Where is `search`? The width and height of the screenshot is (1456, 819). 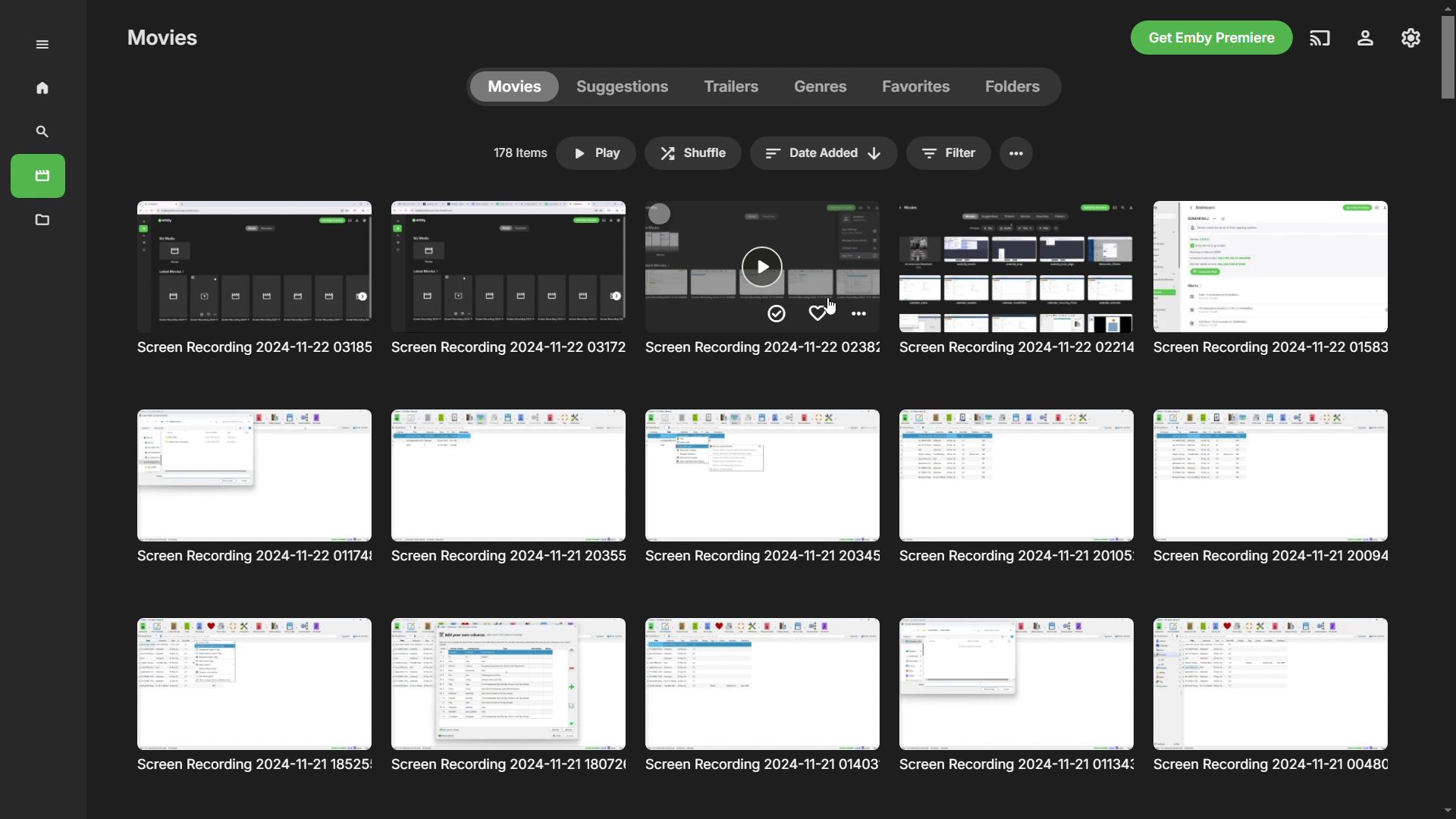
search is located at coordinates (42, 133).